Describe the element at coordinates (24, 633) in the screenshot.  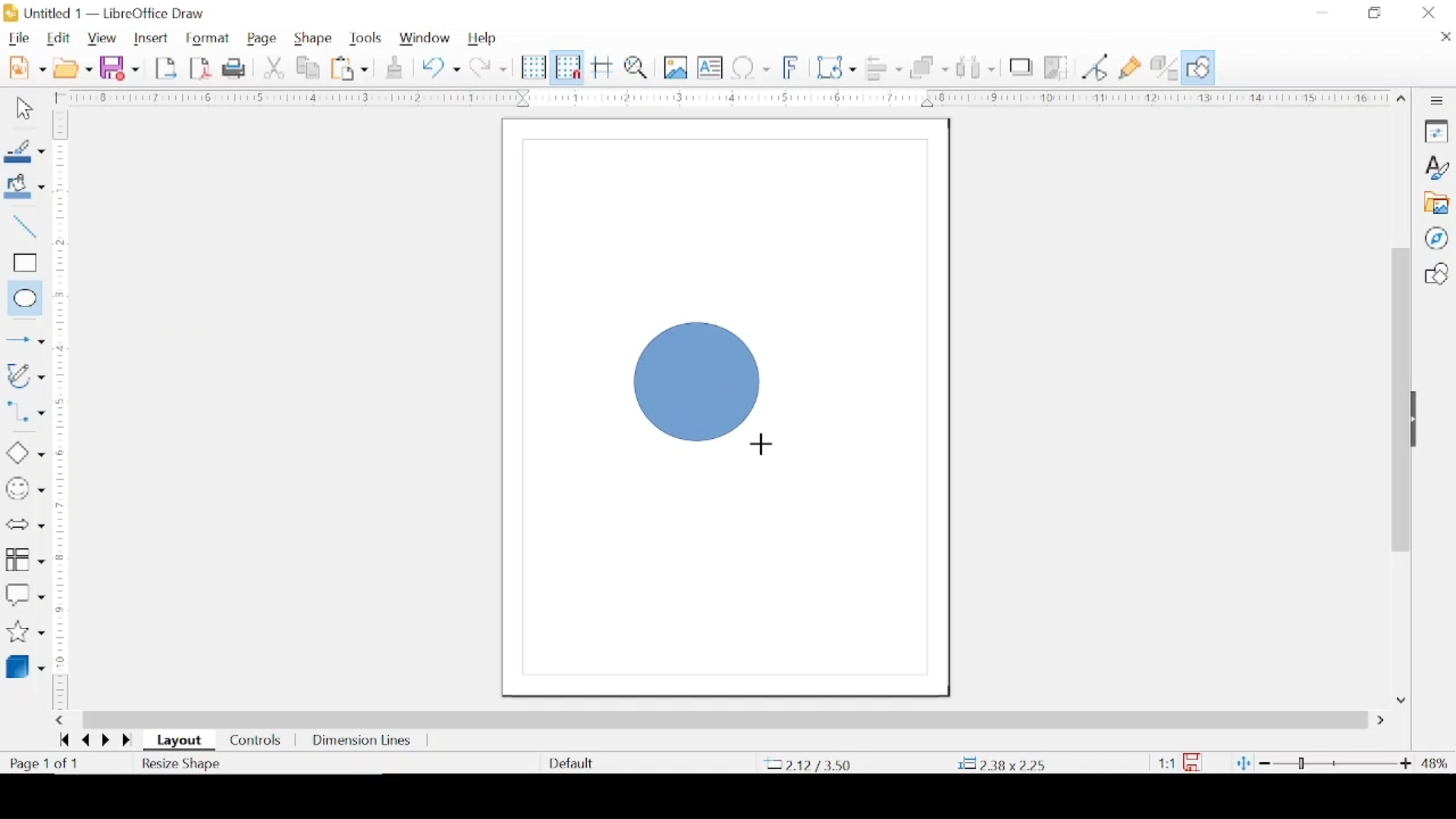
I see `stars and banners` at that location.